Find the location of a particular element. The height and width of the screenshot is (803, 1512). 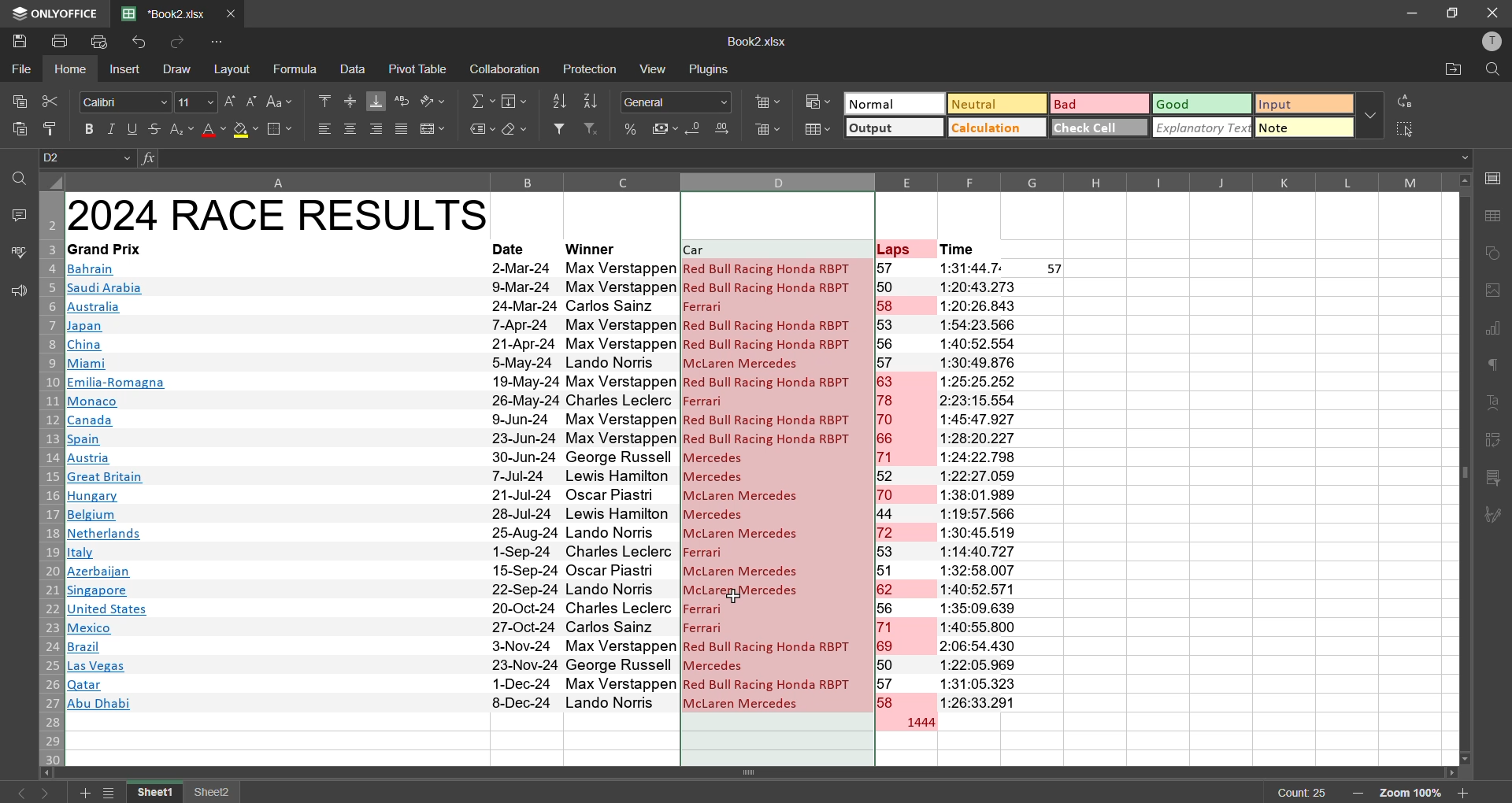

shapes is located at coordinates (1495, 253).